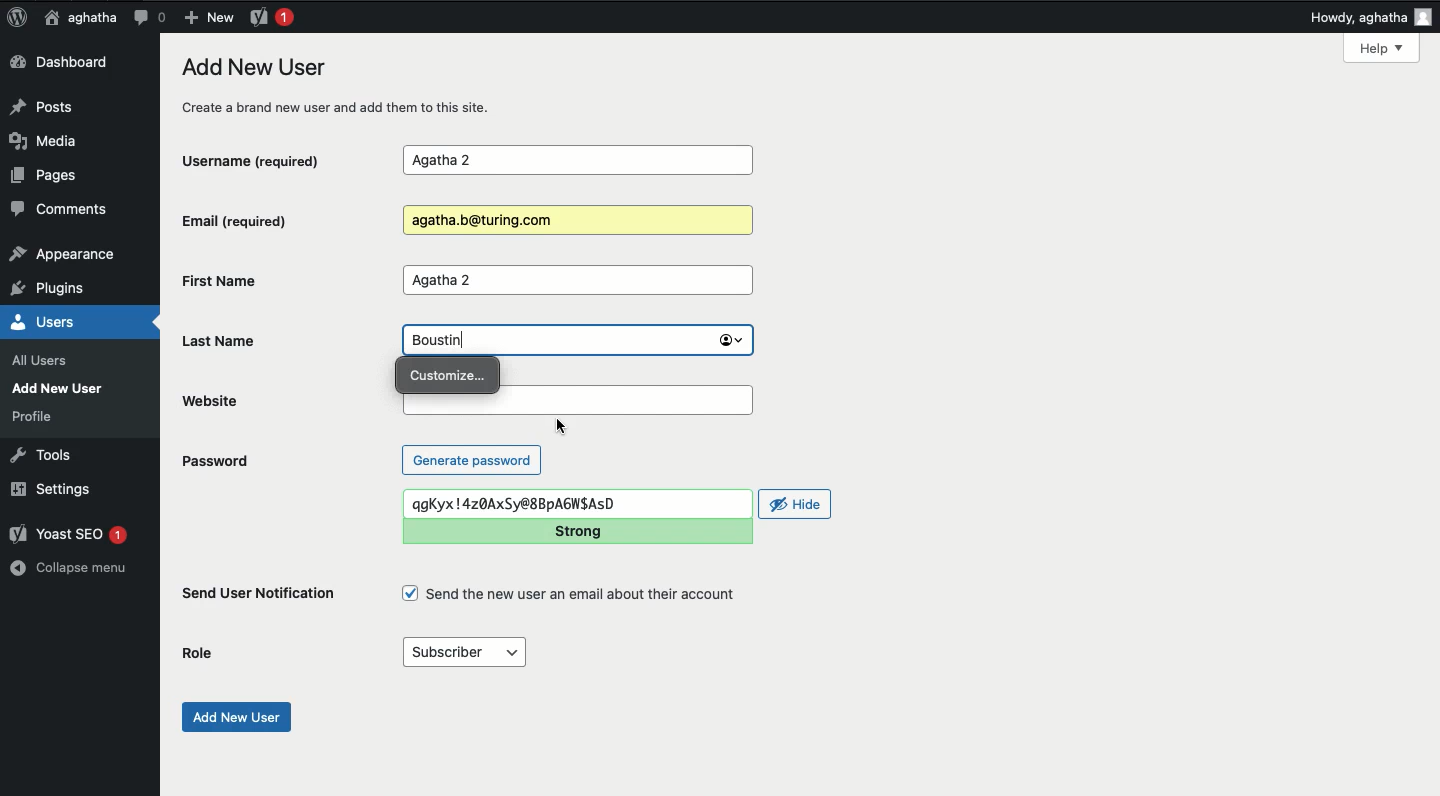 Image resolution: width=1440 pixels, height=796 pixels. I want to click on Subscriber, so click(463, 653).